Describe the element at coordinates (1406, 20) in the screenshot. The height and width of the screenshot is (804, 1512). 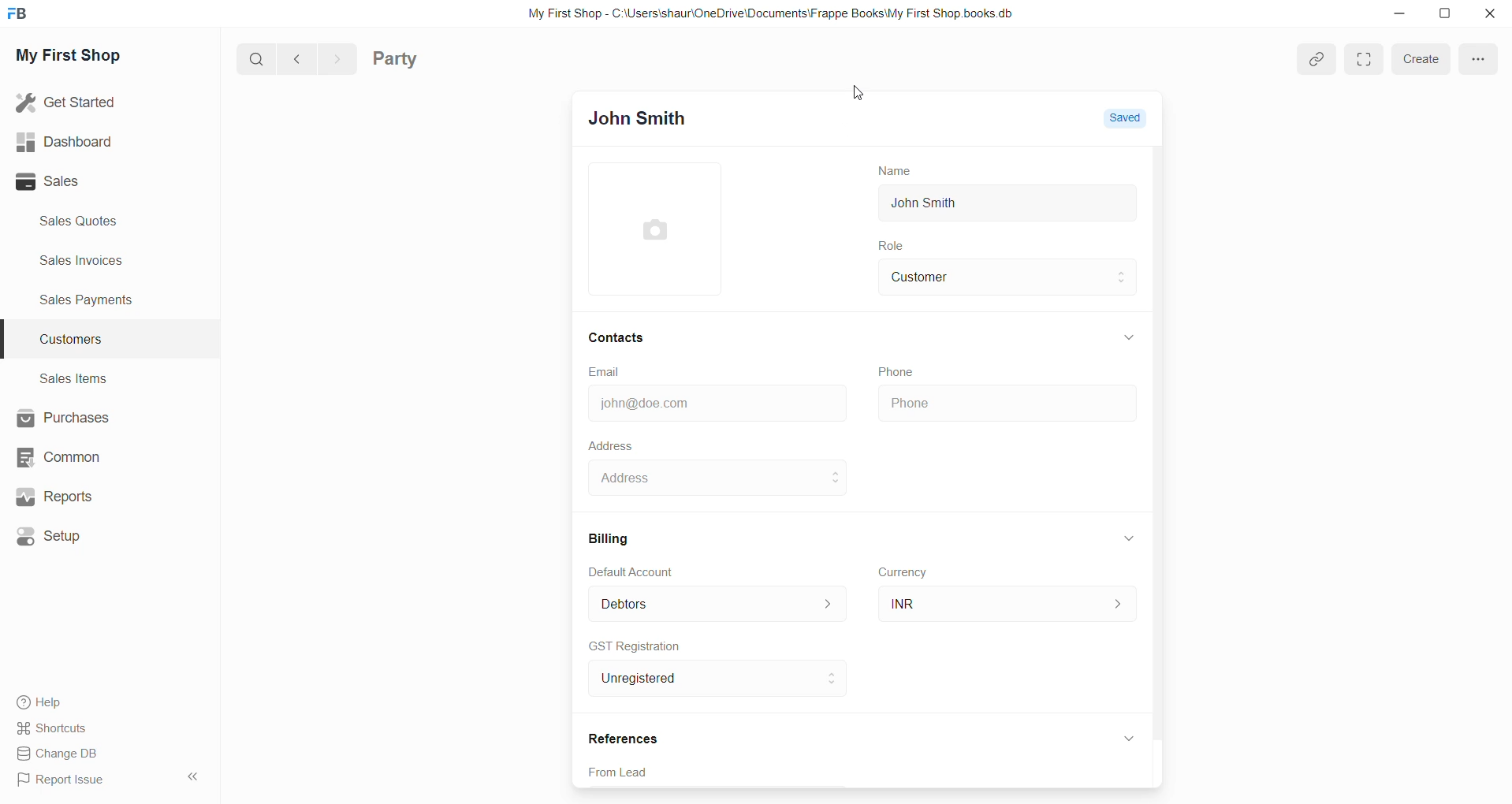
I see `minimize` at that location.